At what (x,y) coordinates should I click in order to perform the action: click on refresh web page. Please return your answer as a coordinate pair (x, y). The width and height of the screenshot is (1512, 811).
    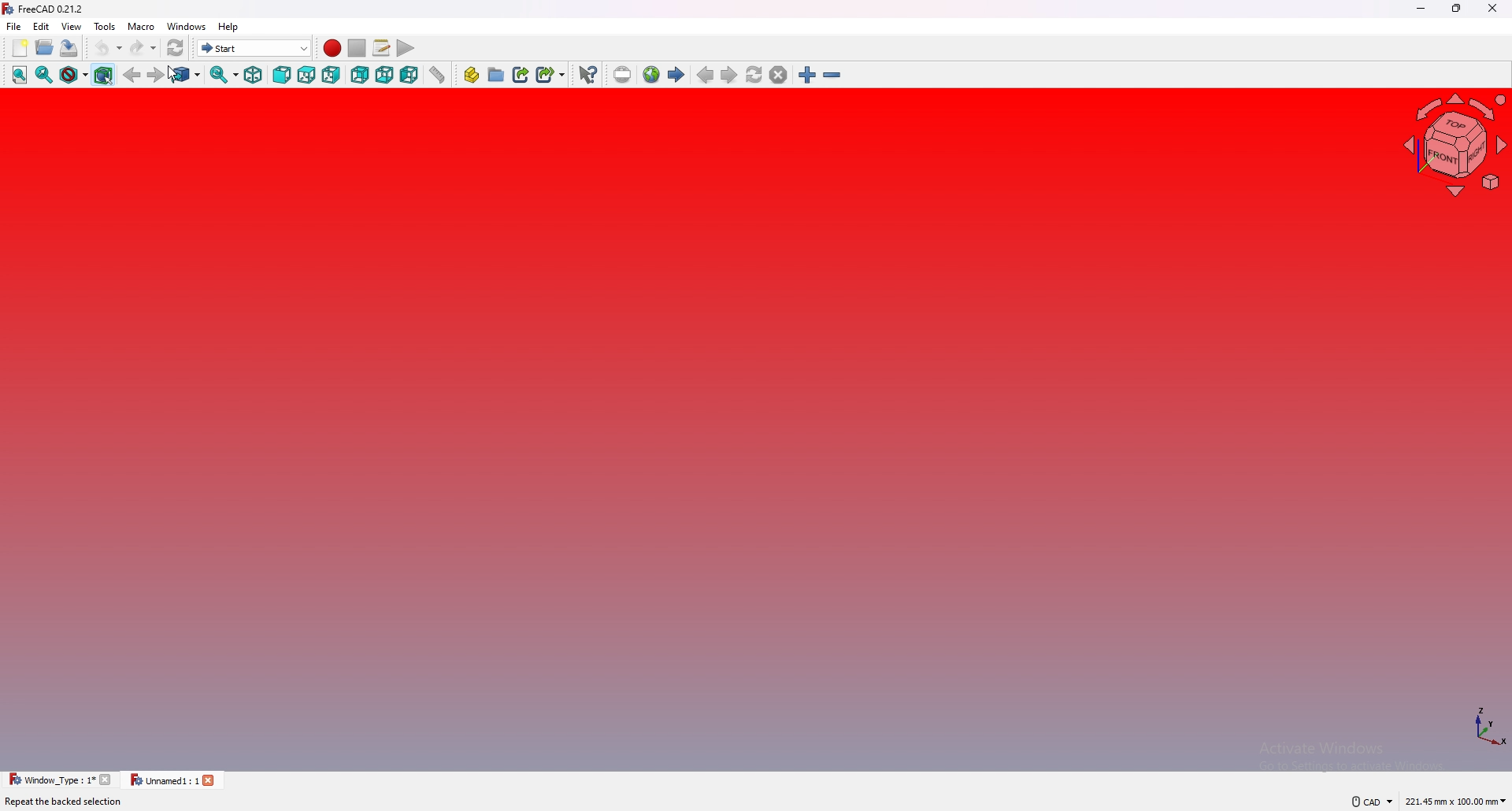
    Looking at the image, I should click on (753, 75).